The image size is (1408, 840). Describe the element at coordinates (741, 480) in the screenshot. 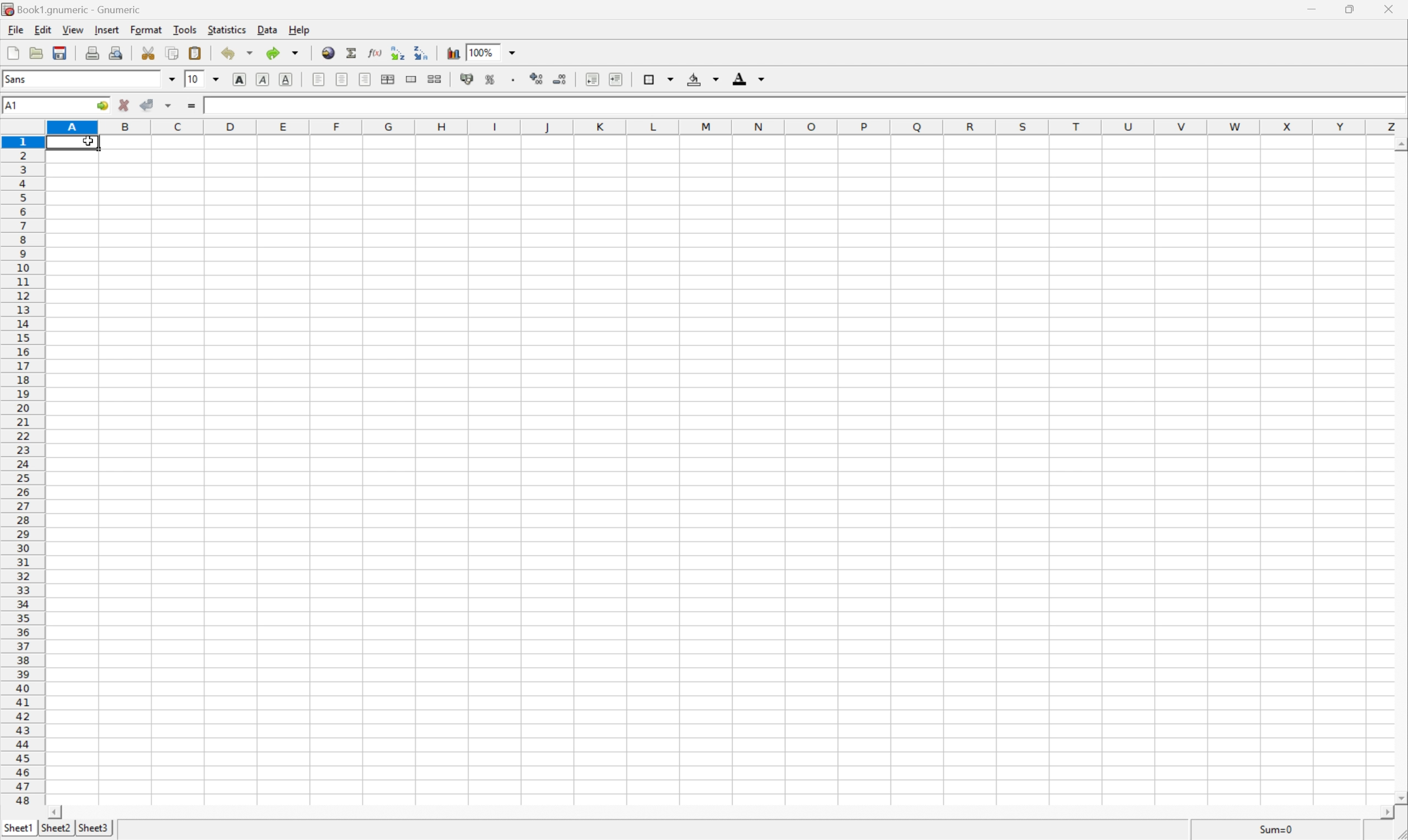

I see `Cells` at that location.